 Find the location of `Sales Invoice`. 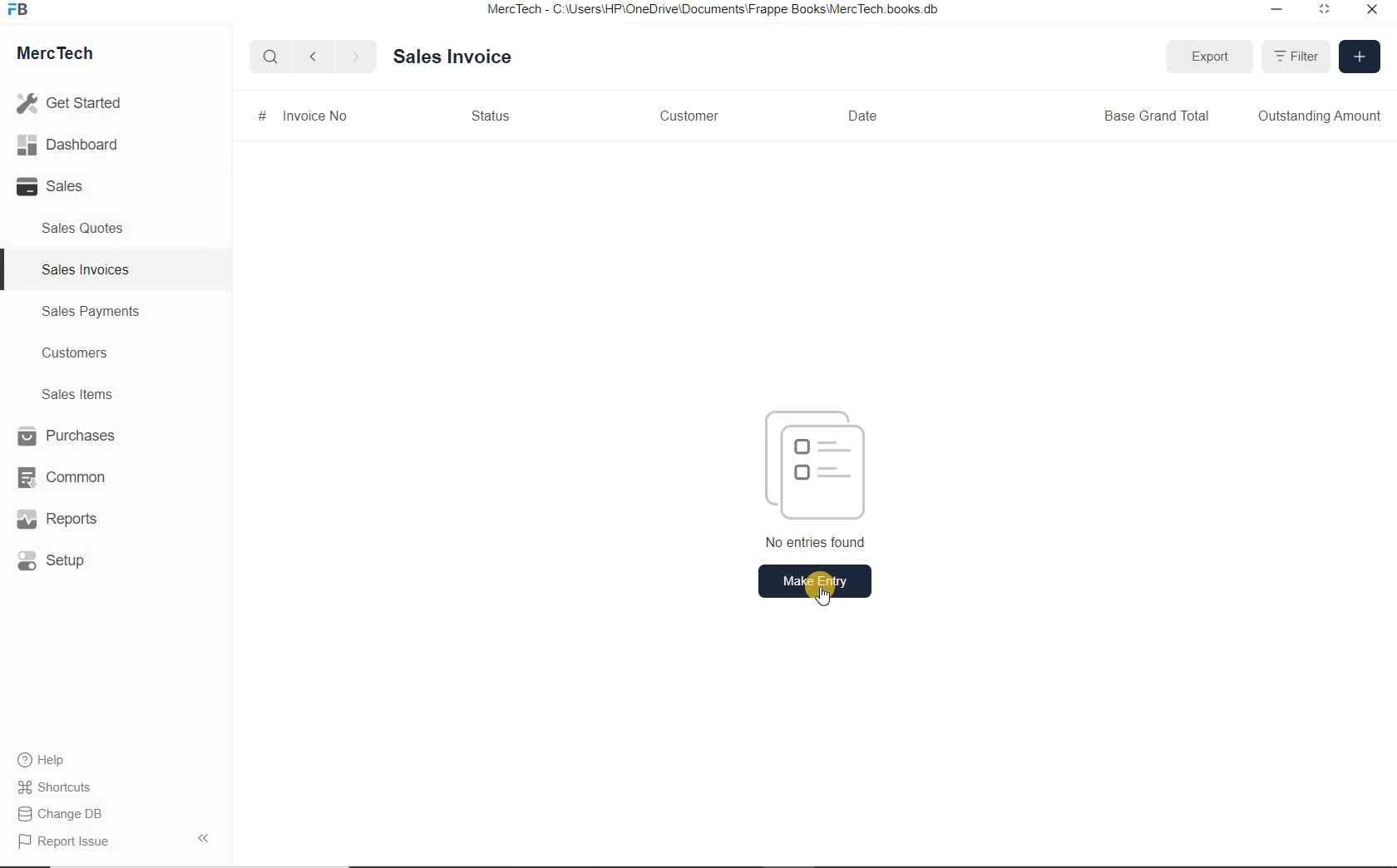

Sales Invoice is located at coordinates (454, 58).